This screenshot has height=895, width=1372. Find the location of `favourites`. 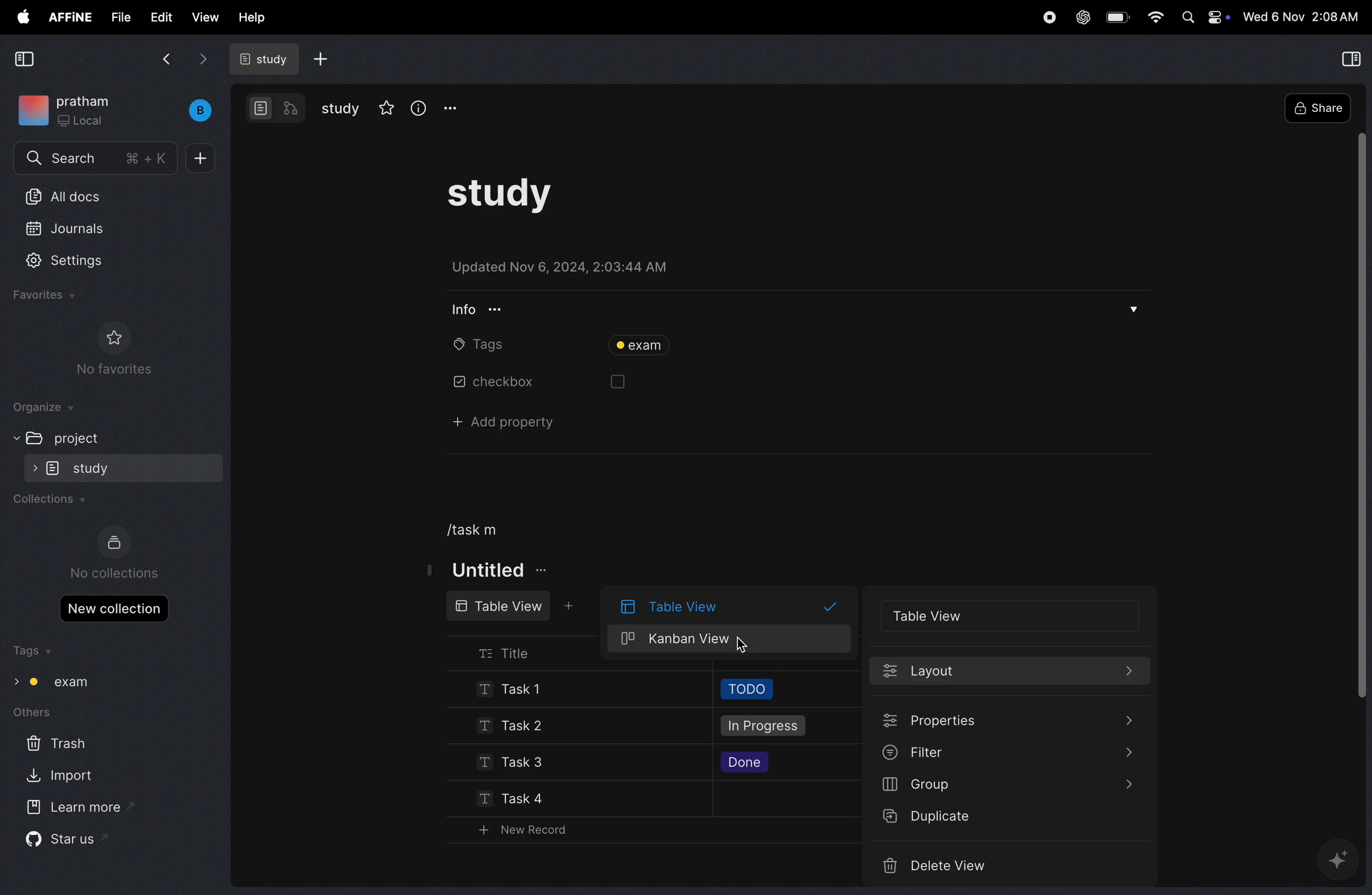

favourites is located at coordinates (48, 298).